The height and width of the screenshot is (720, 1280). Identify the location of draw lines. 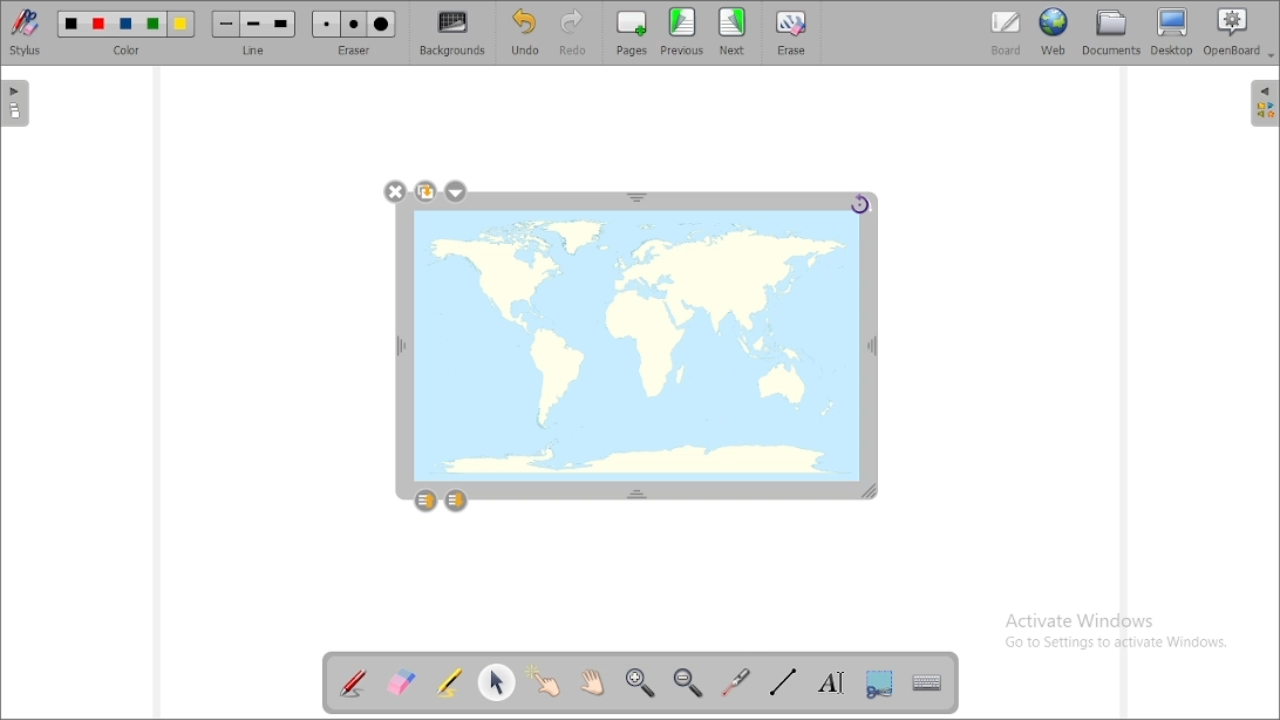
(782, 683).